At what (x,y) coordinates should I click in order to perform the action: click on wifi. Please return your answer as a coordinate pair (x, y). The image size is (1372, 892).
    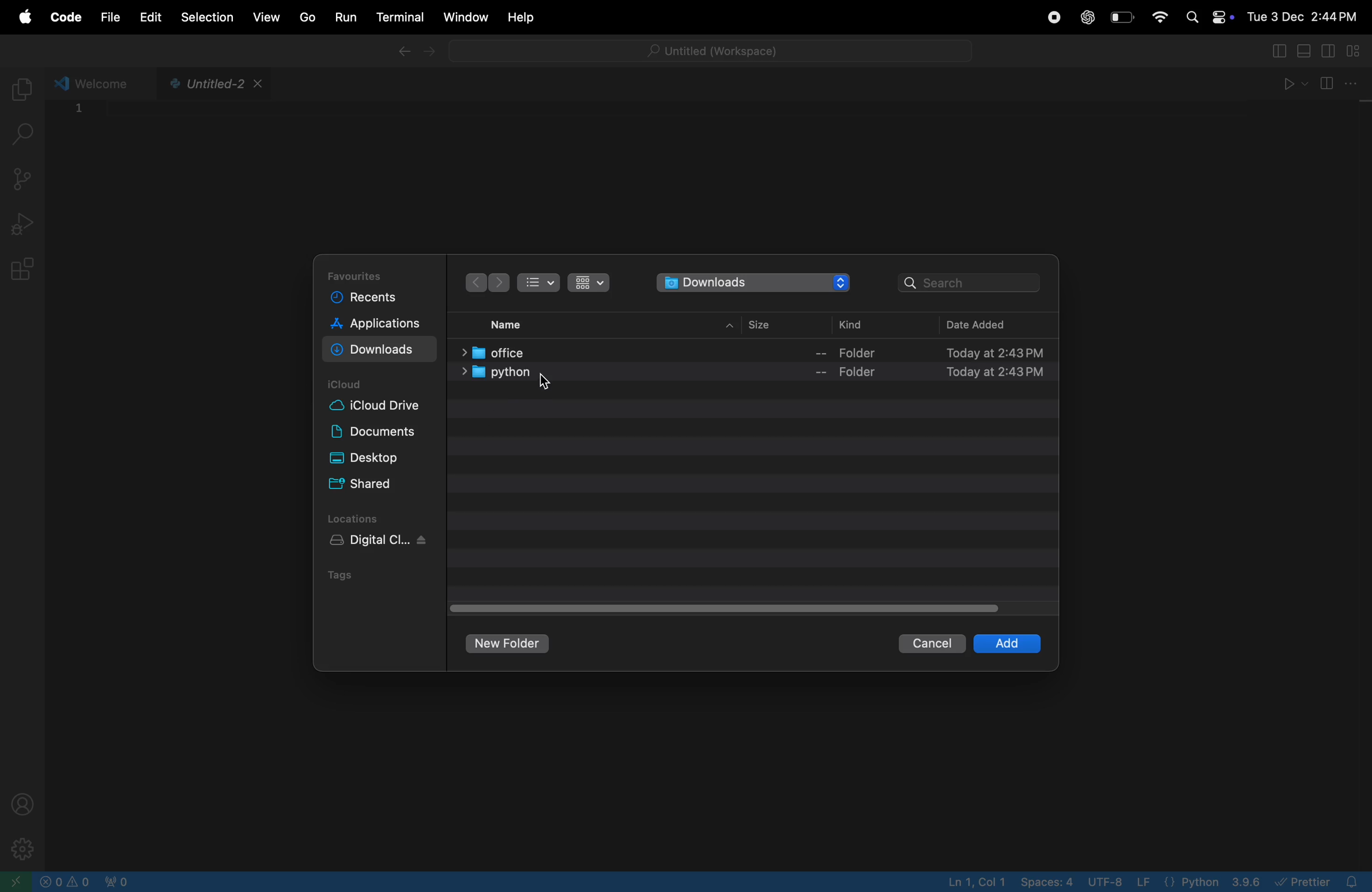
    Looking at the image, I should click on (1159, 18).